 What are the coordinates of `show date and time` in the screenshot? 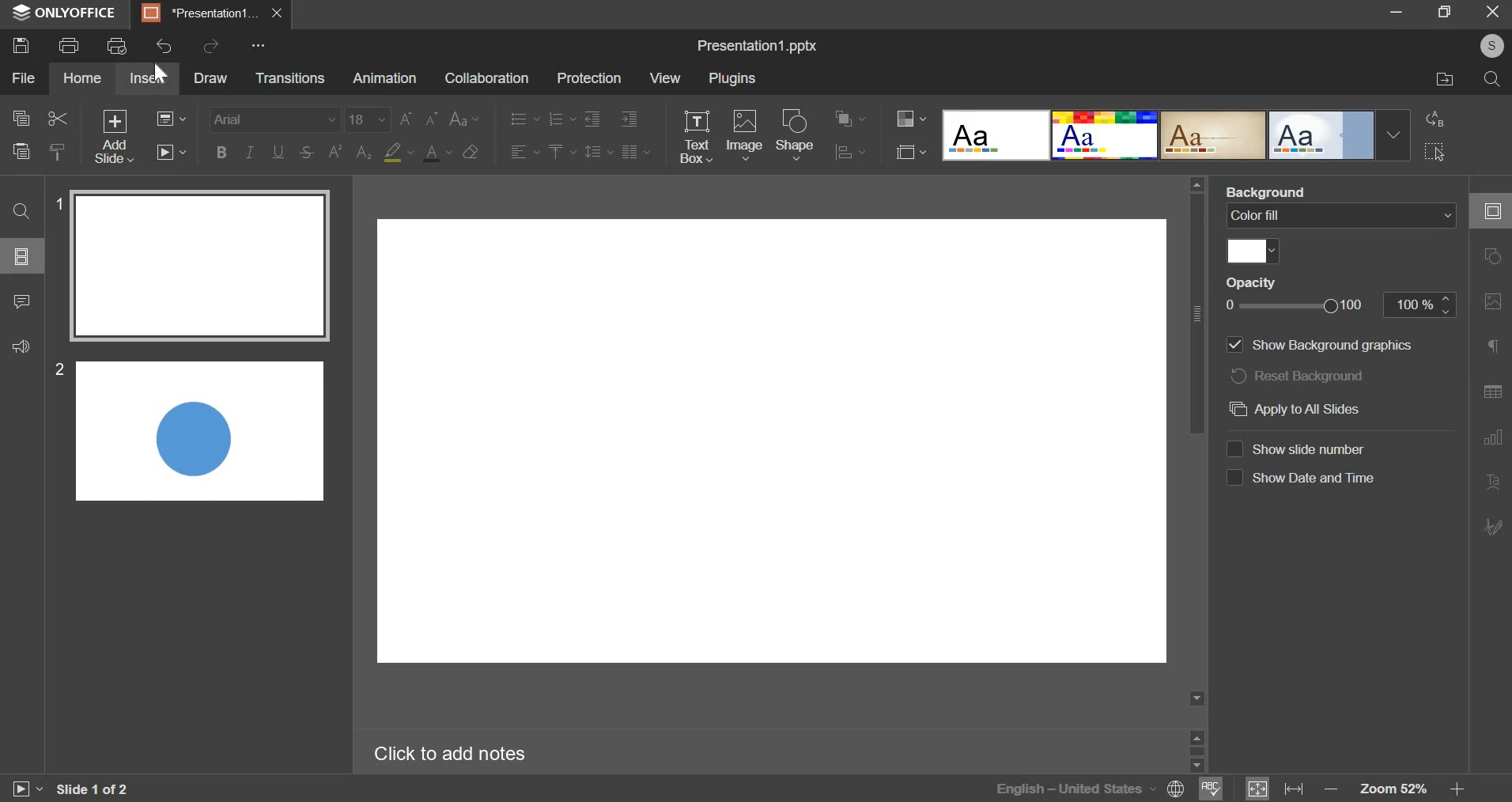 It's located at (1303, 480).